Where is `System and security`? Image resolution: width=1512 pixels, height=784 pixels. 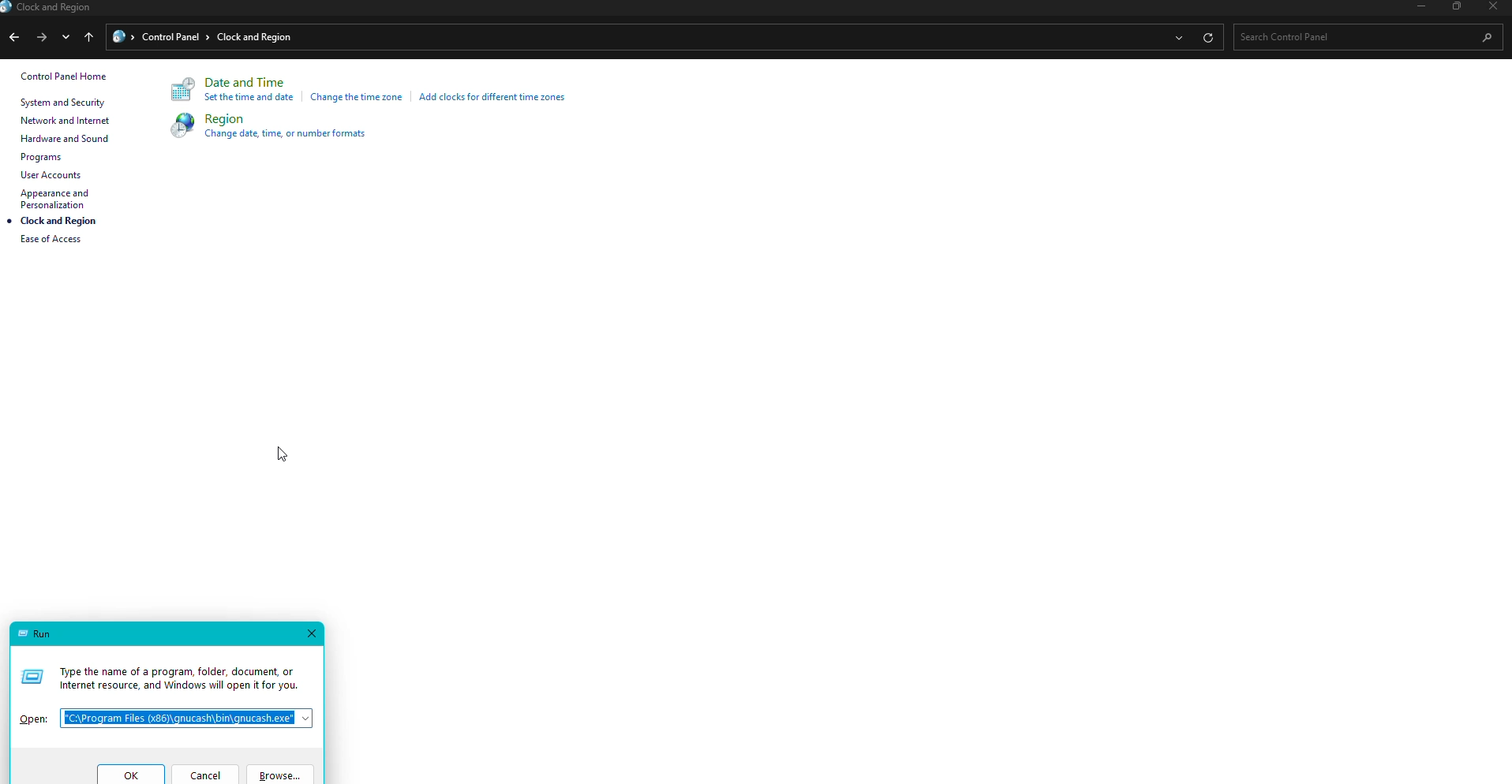 System and security is located at coordinates (65, 102).